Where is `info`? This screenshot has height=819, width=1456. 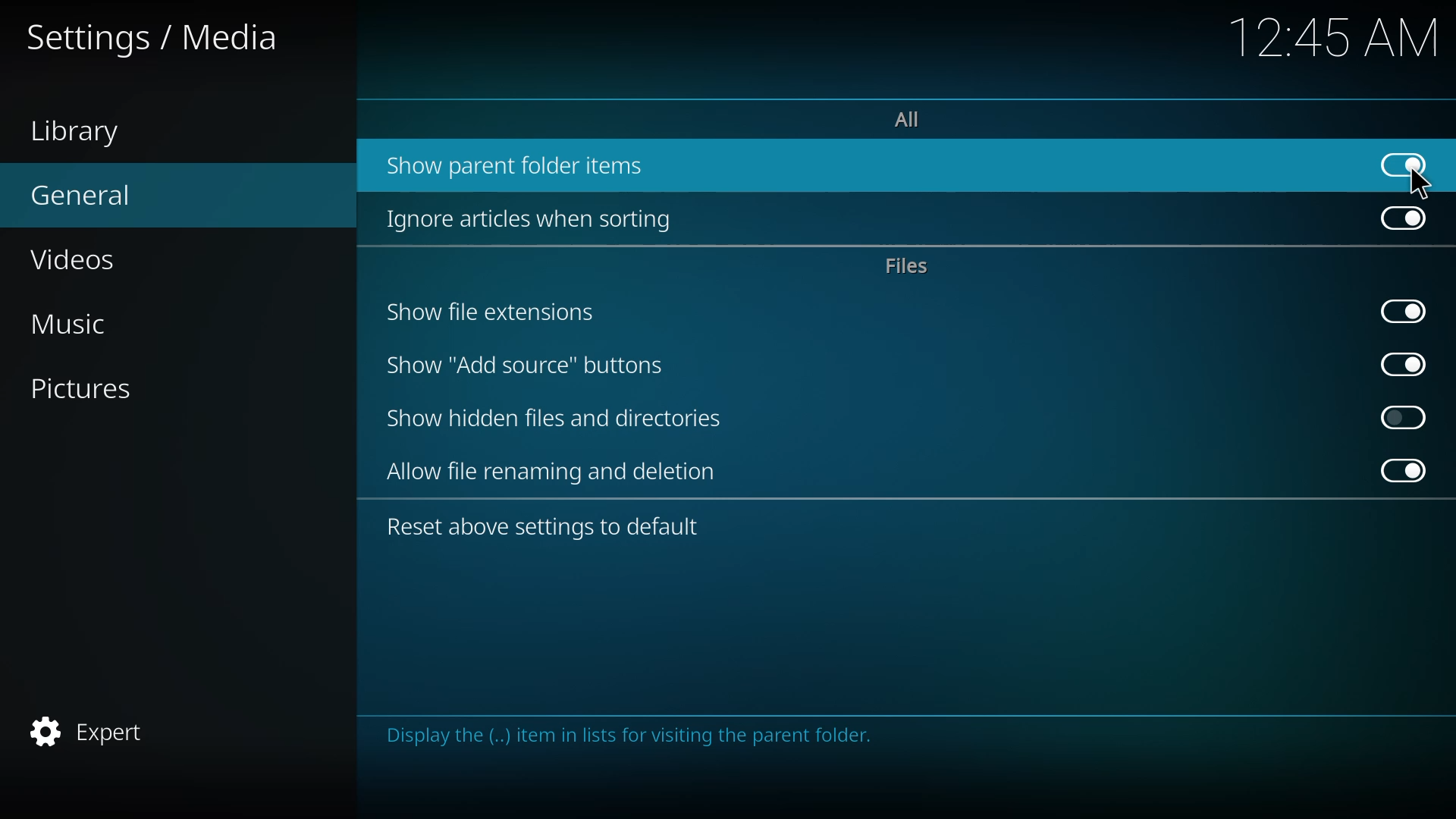 info is located at coordinates (642, 736).